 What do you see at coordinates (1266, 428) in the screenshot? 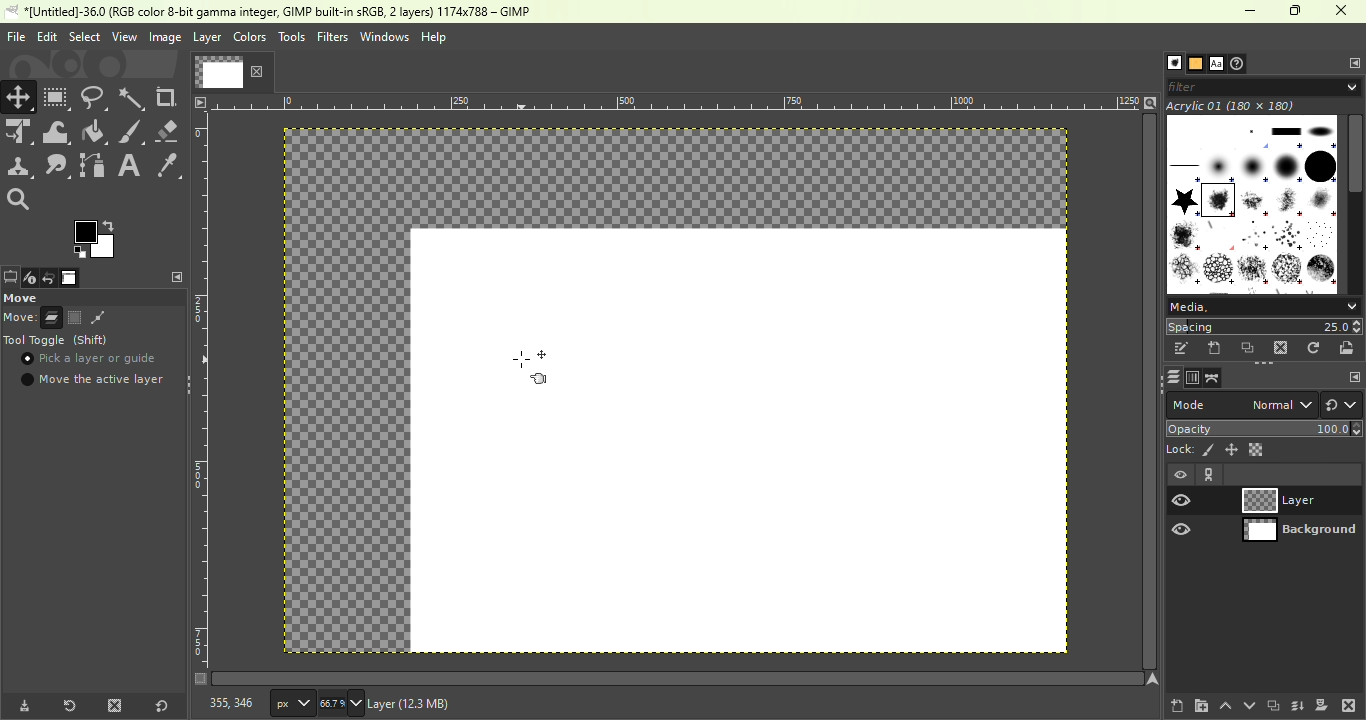
I see `Opacity` at bounding box center [1266, 428].